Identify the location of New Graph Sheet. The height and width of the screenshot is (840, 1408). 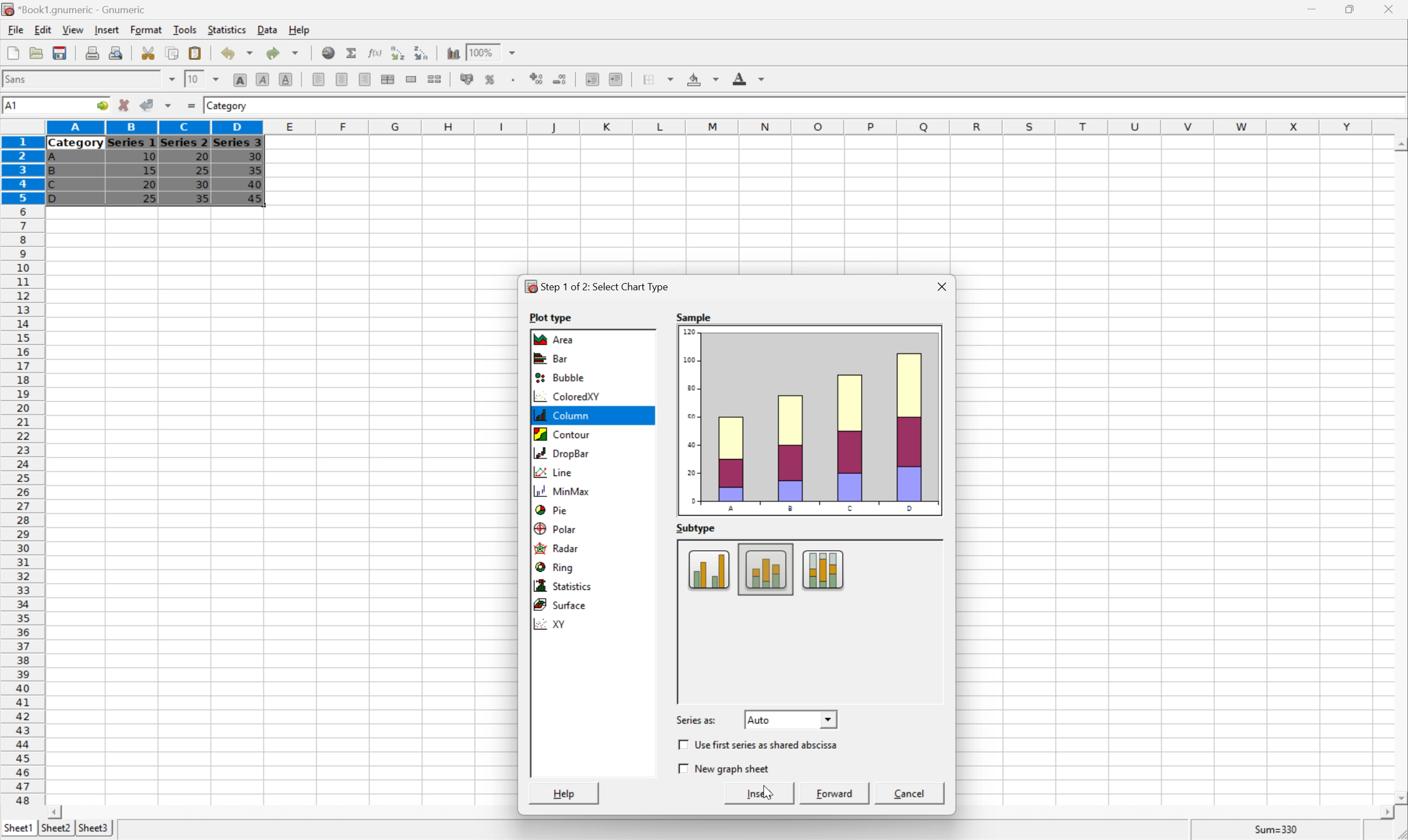
(731, 768).